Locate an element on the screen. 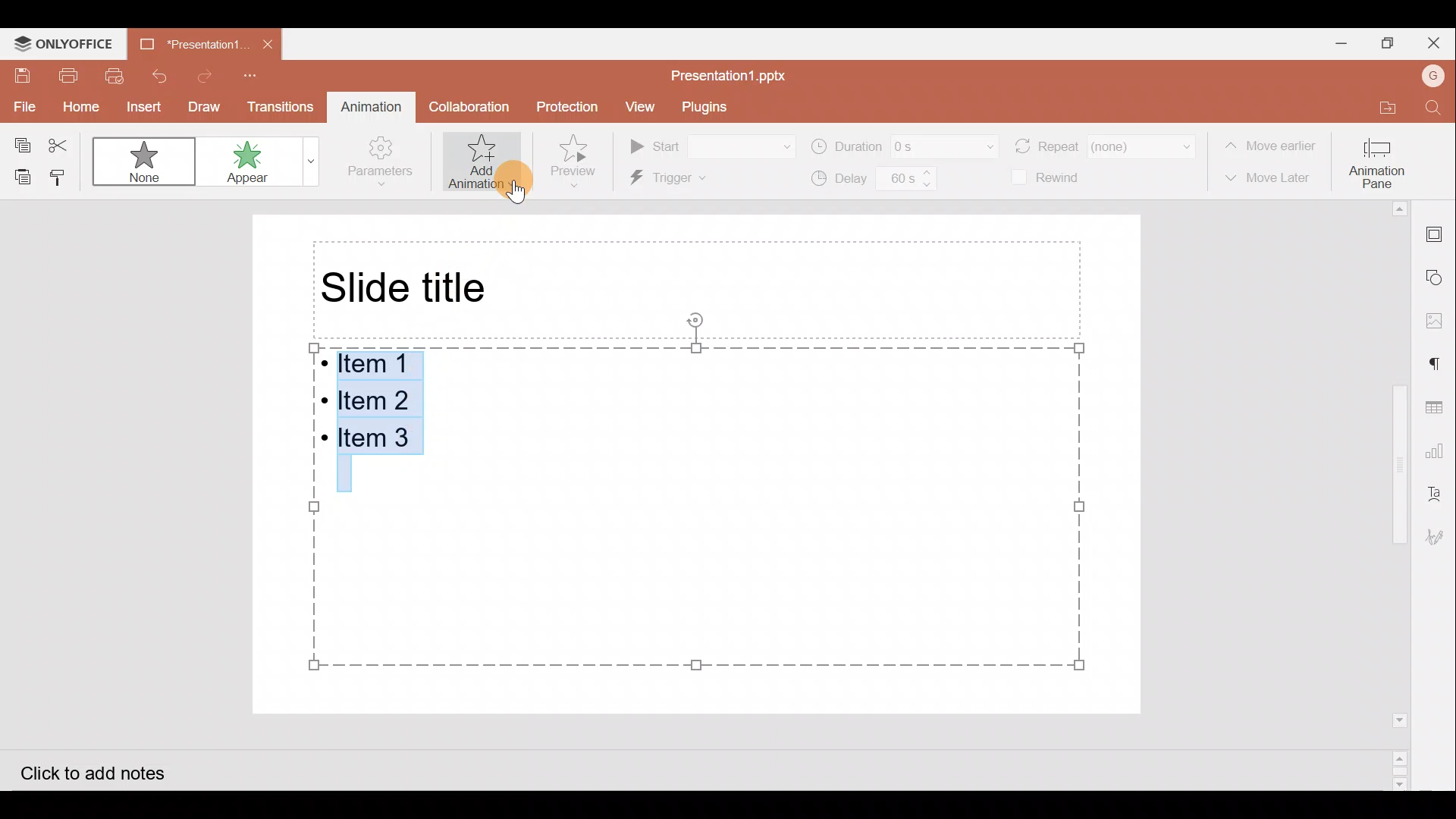 The width and height of the screenshot is (1456, 819). Paste is located at coordinates (22, 175).